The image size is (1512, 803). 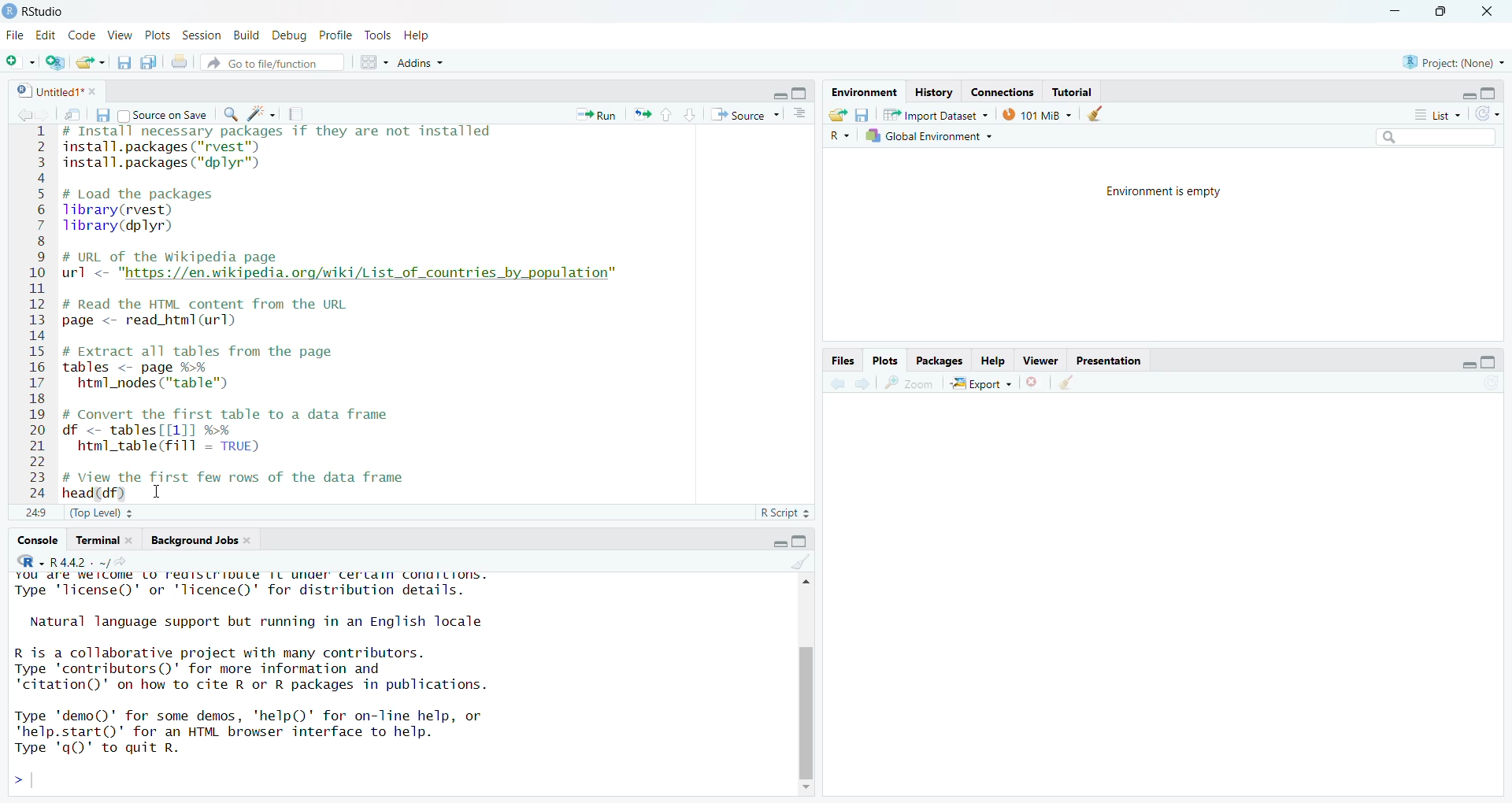 What do you see at coordinates (29, 561) in the screenshot?
I see `RStudio` at bounding box center [29, 561].